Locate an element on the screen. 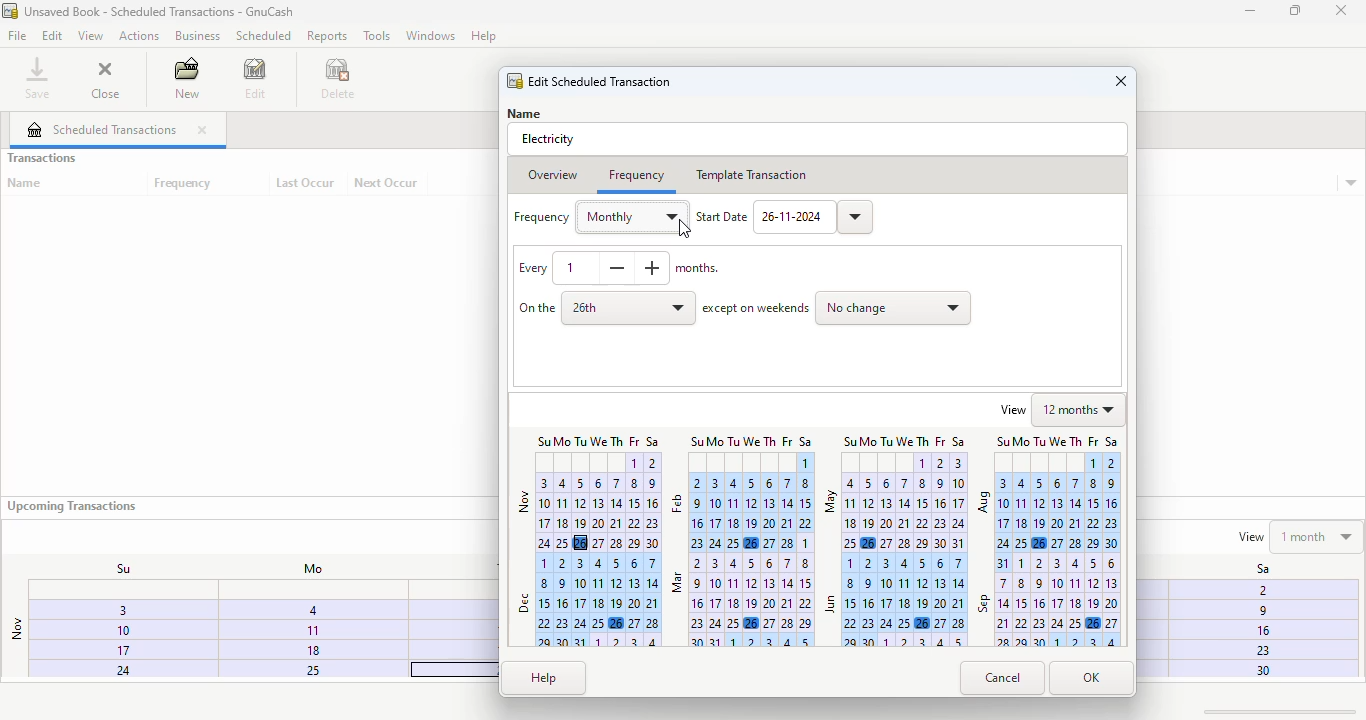  edit is located at coordinates (256, 78).